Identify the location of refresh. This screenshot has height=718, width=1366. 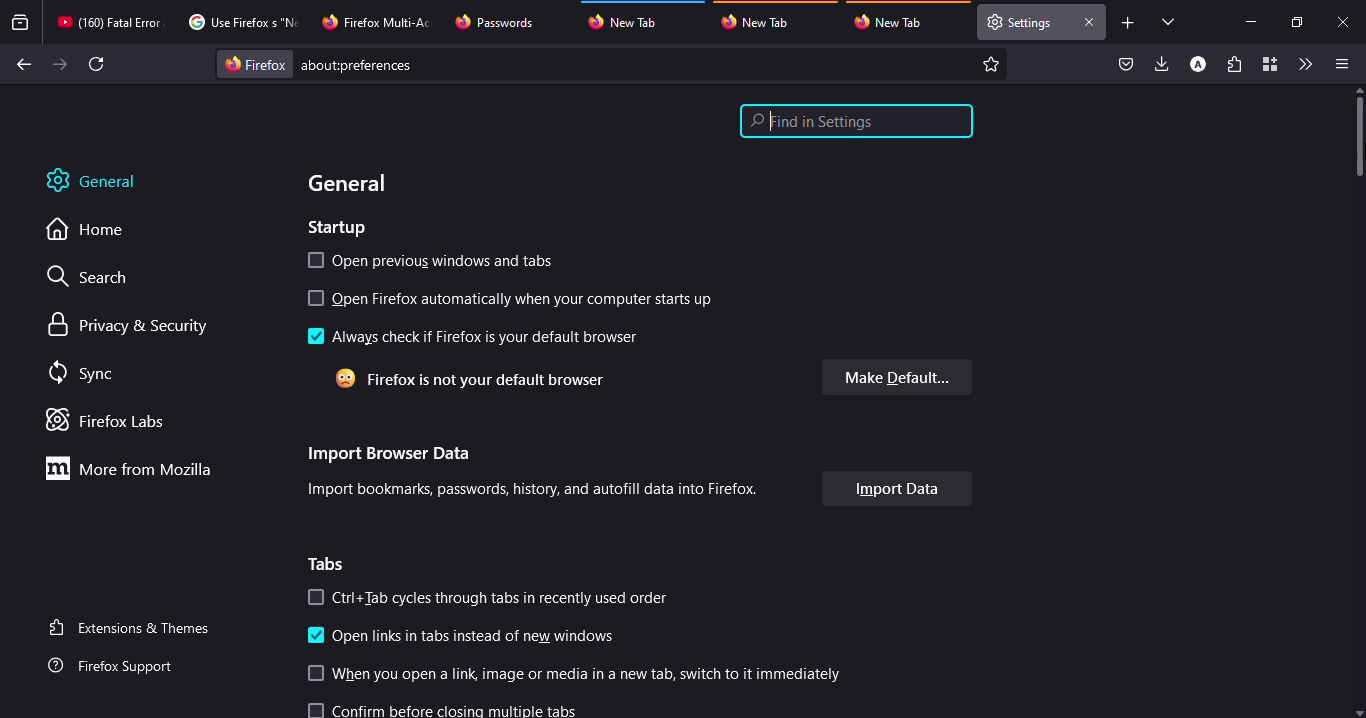
(98, 64).